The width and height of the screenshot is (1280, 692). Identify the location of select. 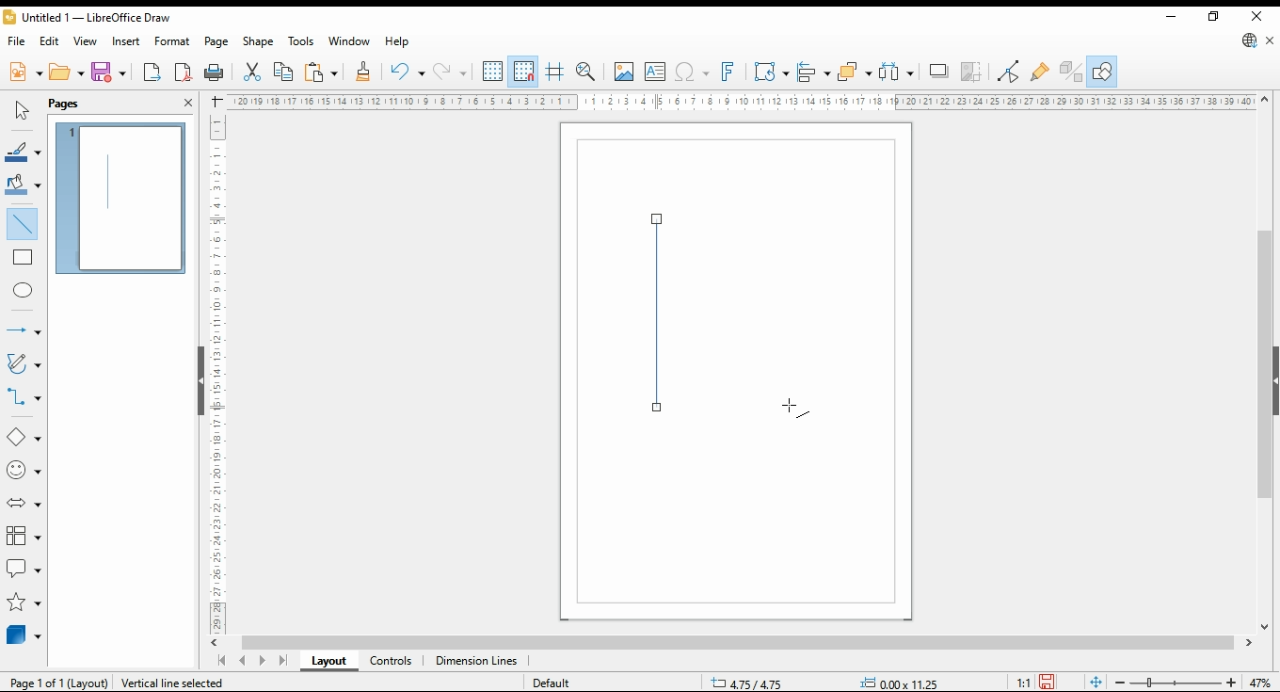
(19, 111).